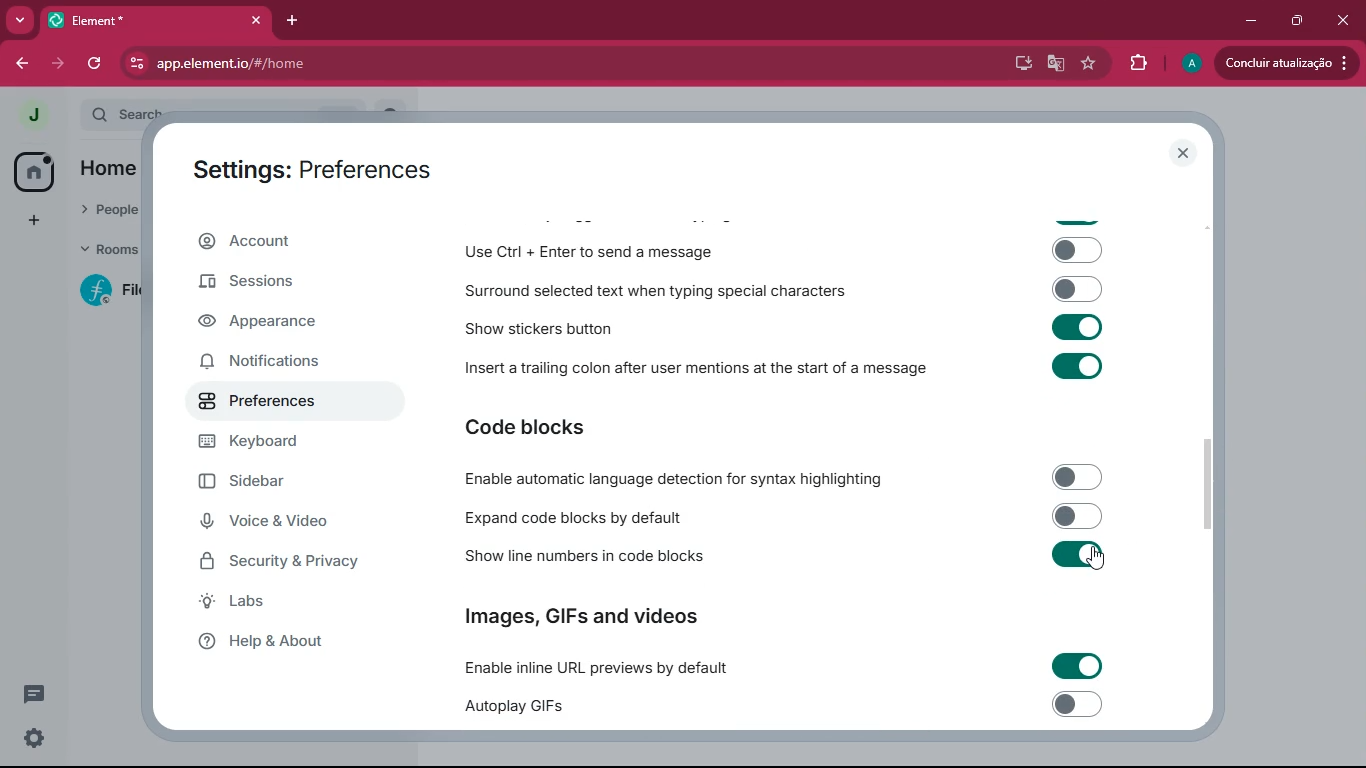  I want to click on filecoin lotus implementation , so click(118, 292).